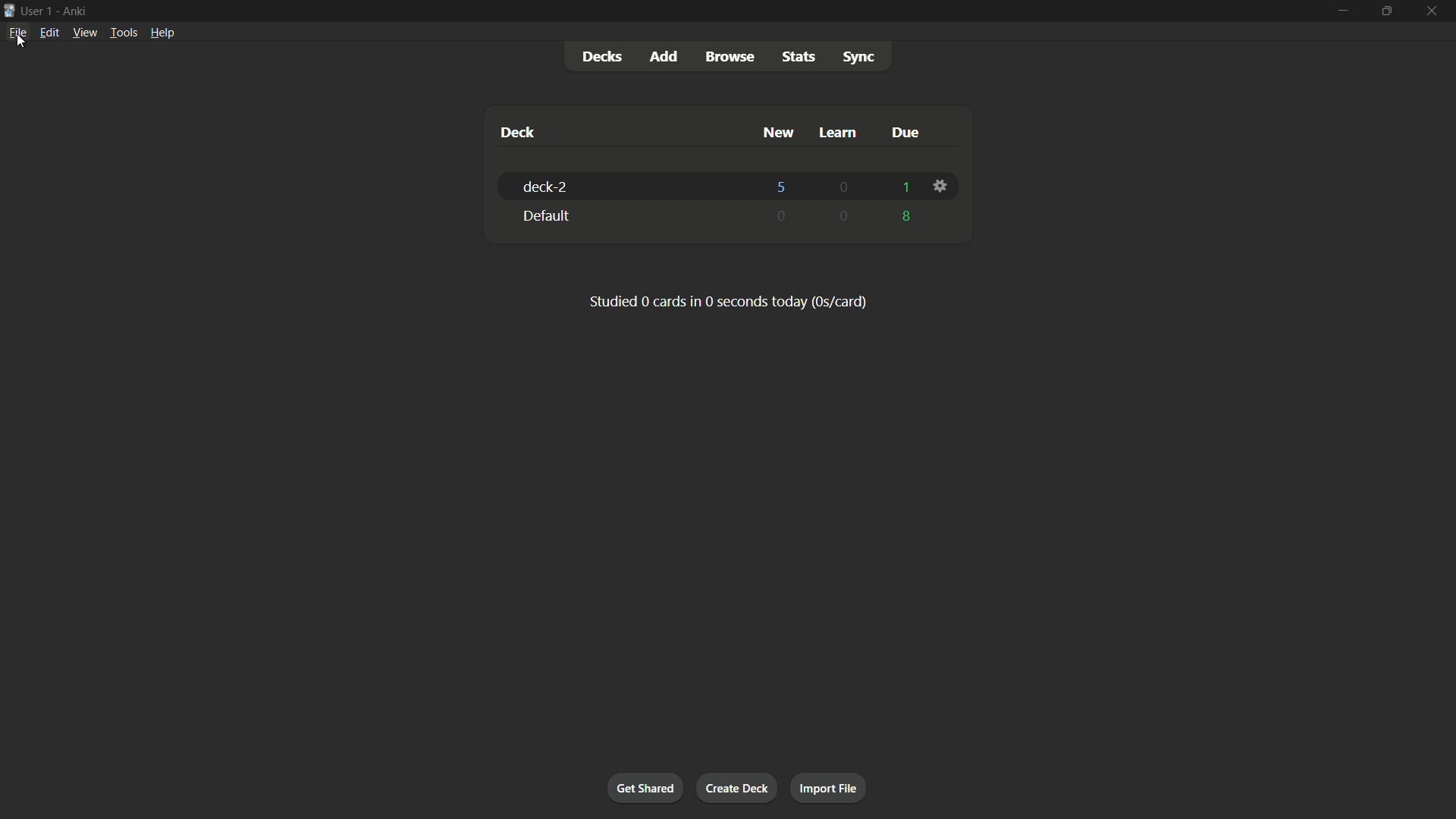 This screenshot has height=819, width=1456. I want to click on Create deck, so click(739, 788).